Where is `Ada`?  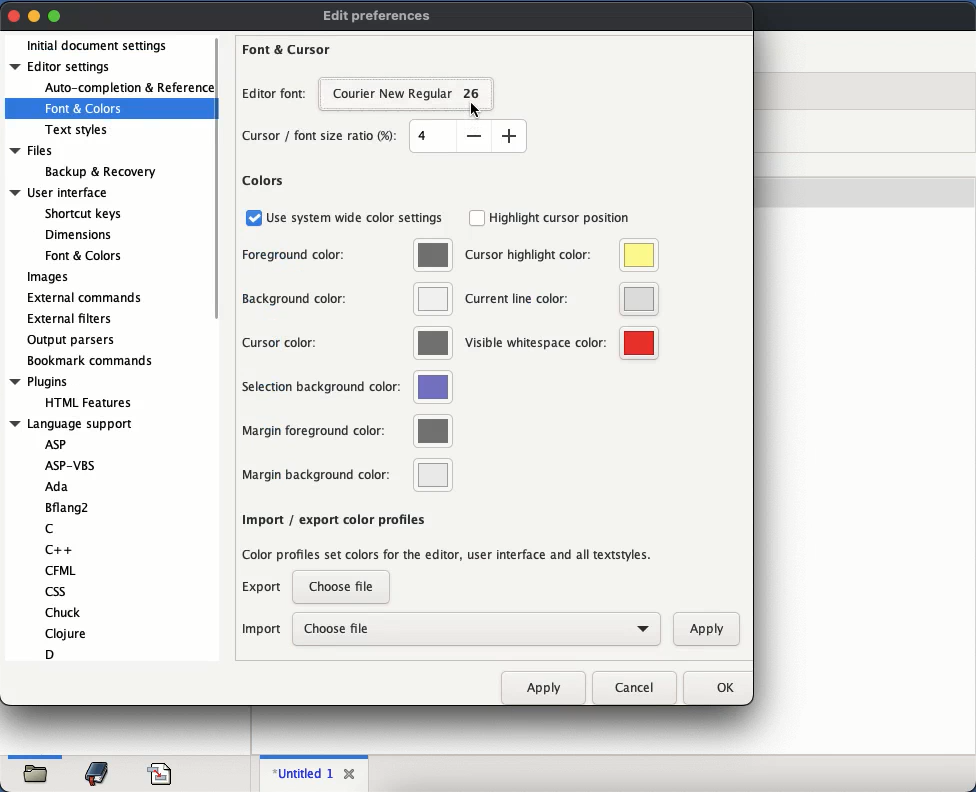 Ada is located at coordinates (60, 487).